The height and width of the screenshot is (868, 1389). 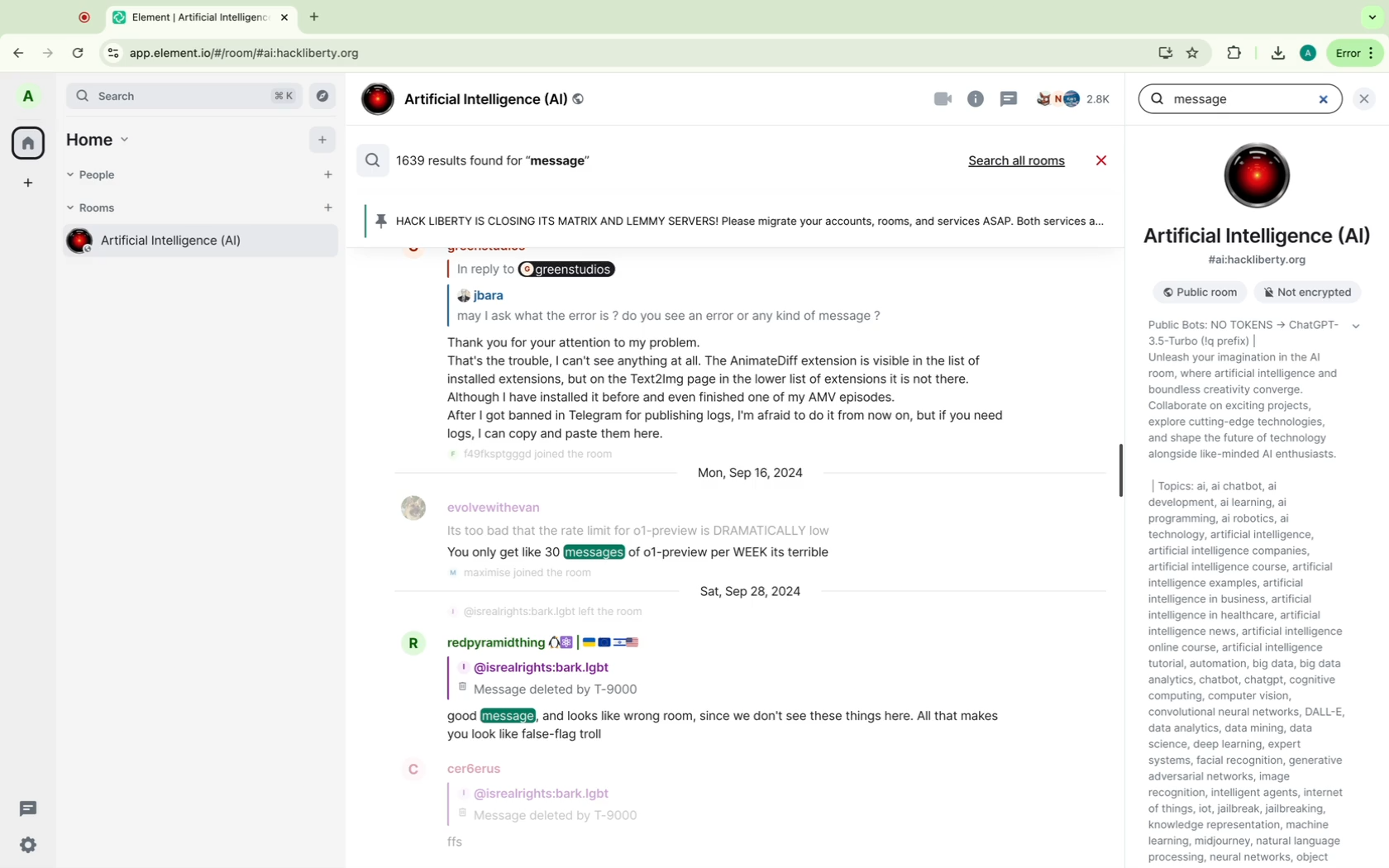 I want to click on cancel, so click(x=1321, y=98).